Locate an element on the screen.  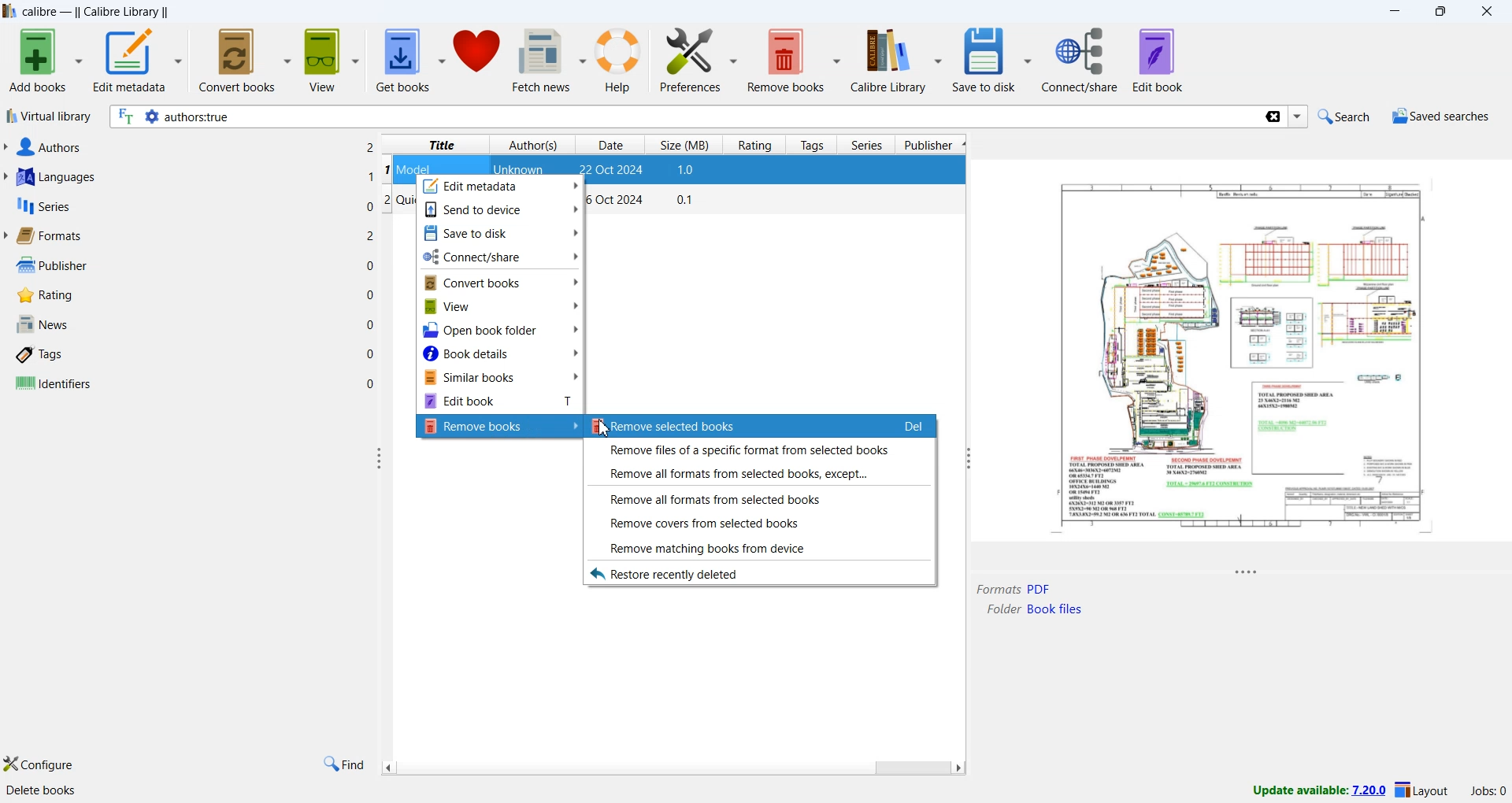
configure is located at coordinates (40, 765).